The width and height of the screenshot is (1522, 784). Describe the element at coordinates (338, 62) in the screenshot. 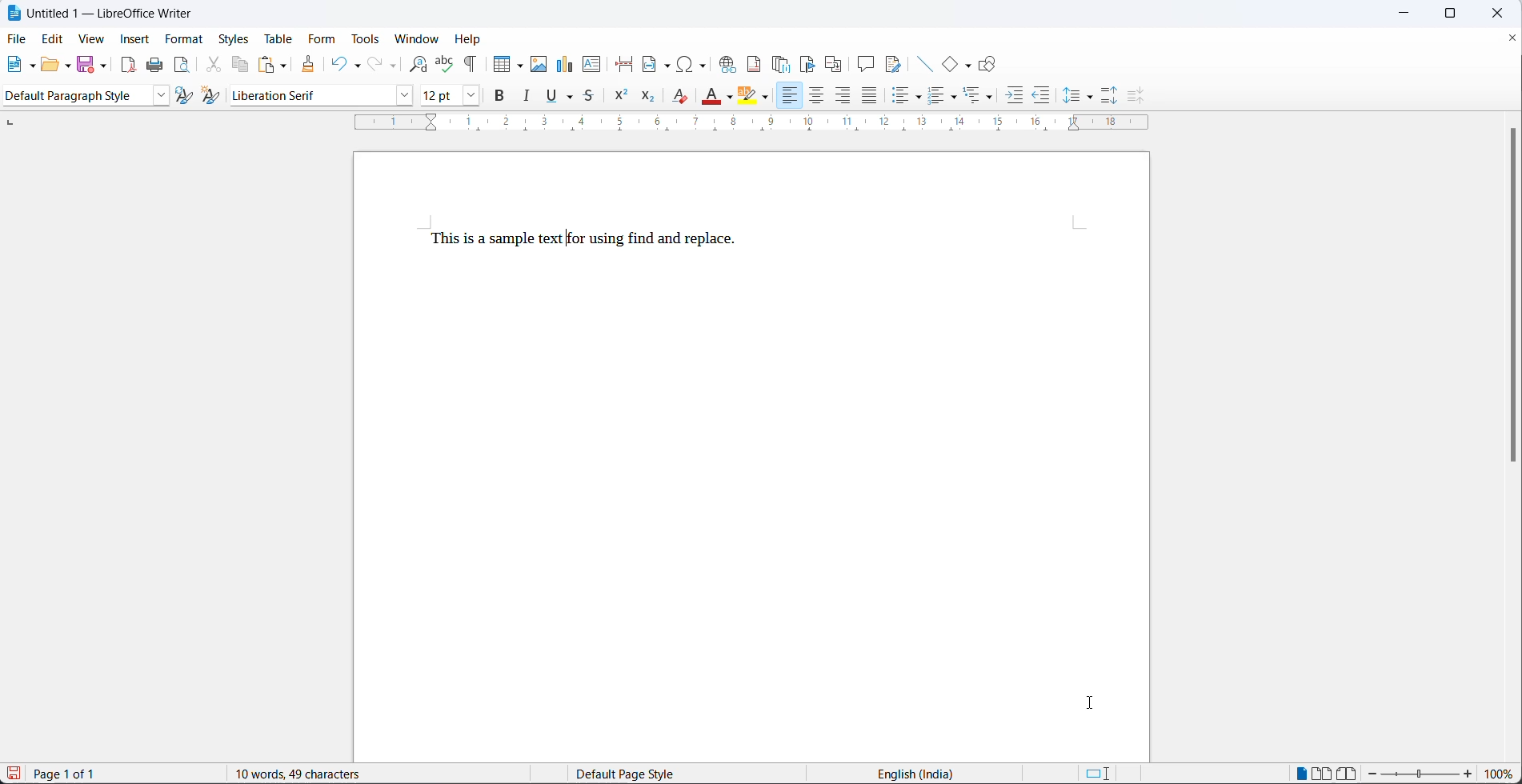

I see `undo` at that location.